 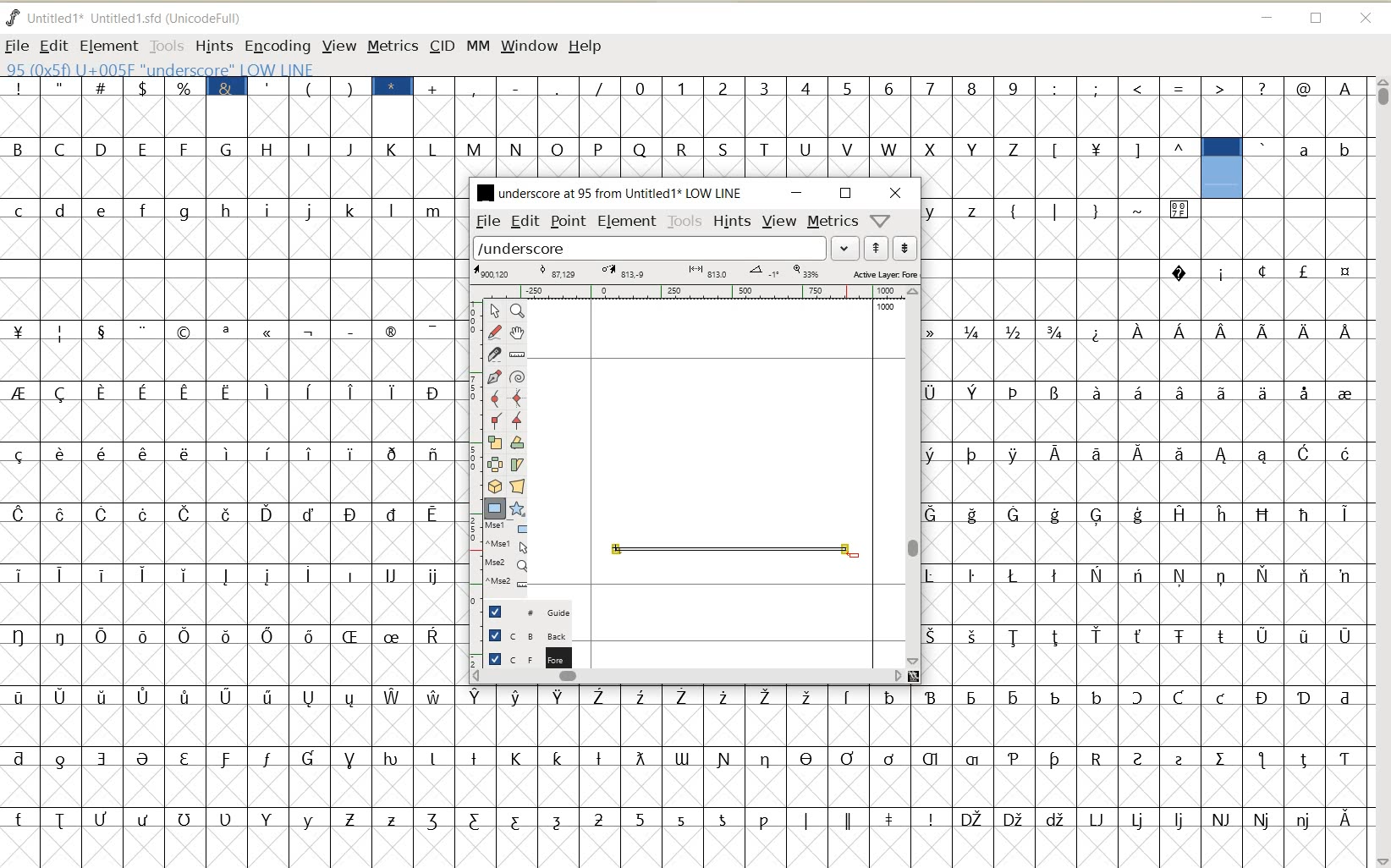 What do you see at coordinates (52, 47) in the screenshot?
I see `EDIT` at bounding box center [52, 47].